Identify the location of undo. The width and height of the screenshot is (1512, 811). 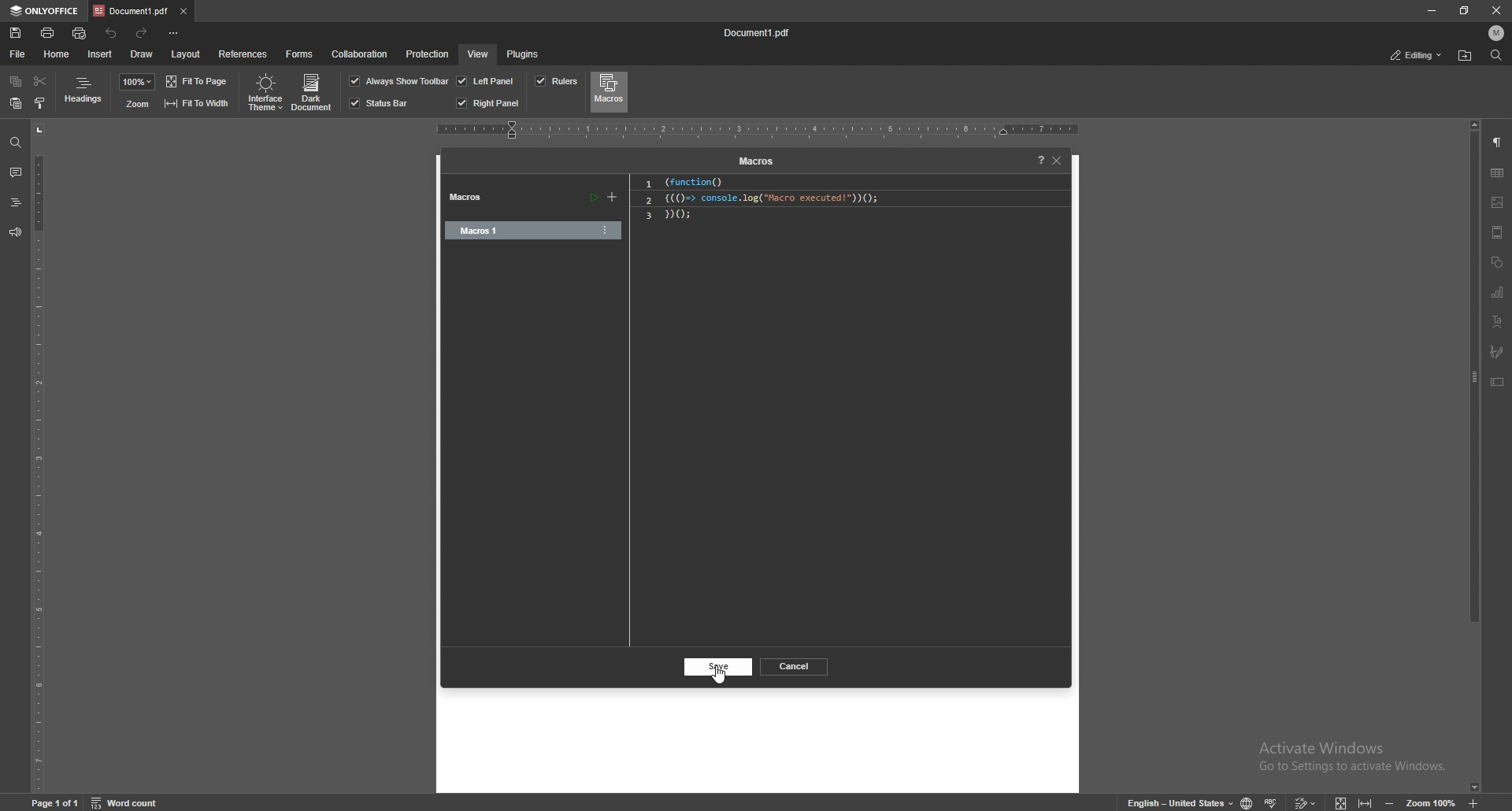
(112, 33).